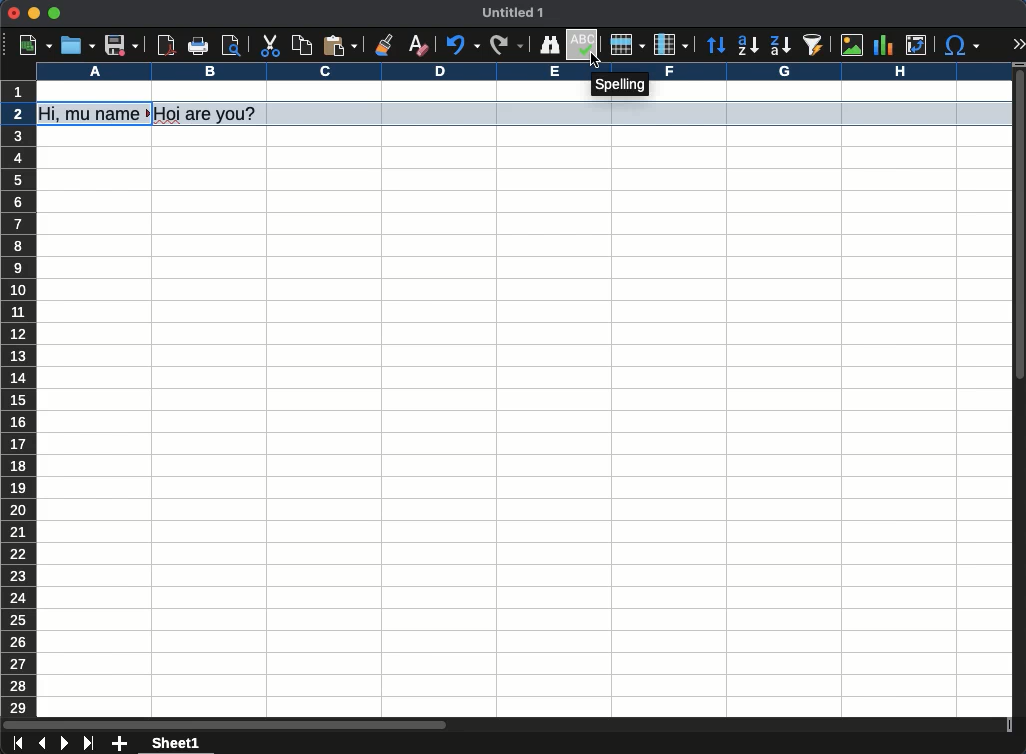 This screenshot has height=754, width=1026. Describe the element at coordinates (342, 44) in the screenshot. I see `paste` at that location.